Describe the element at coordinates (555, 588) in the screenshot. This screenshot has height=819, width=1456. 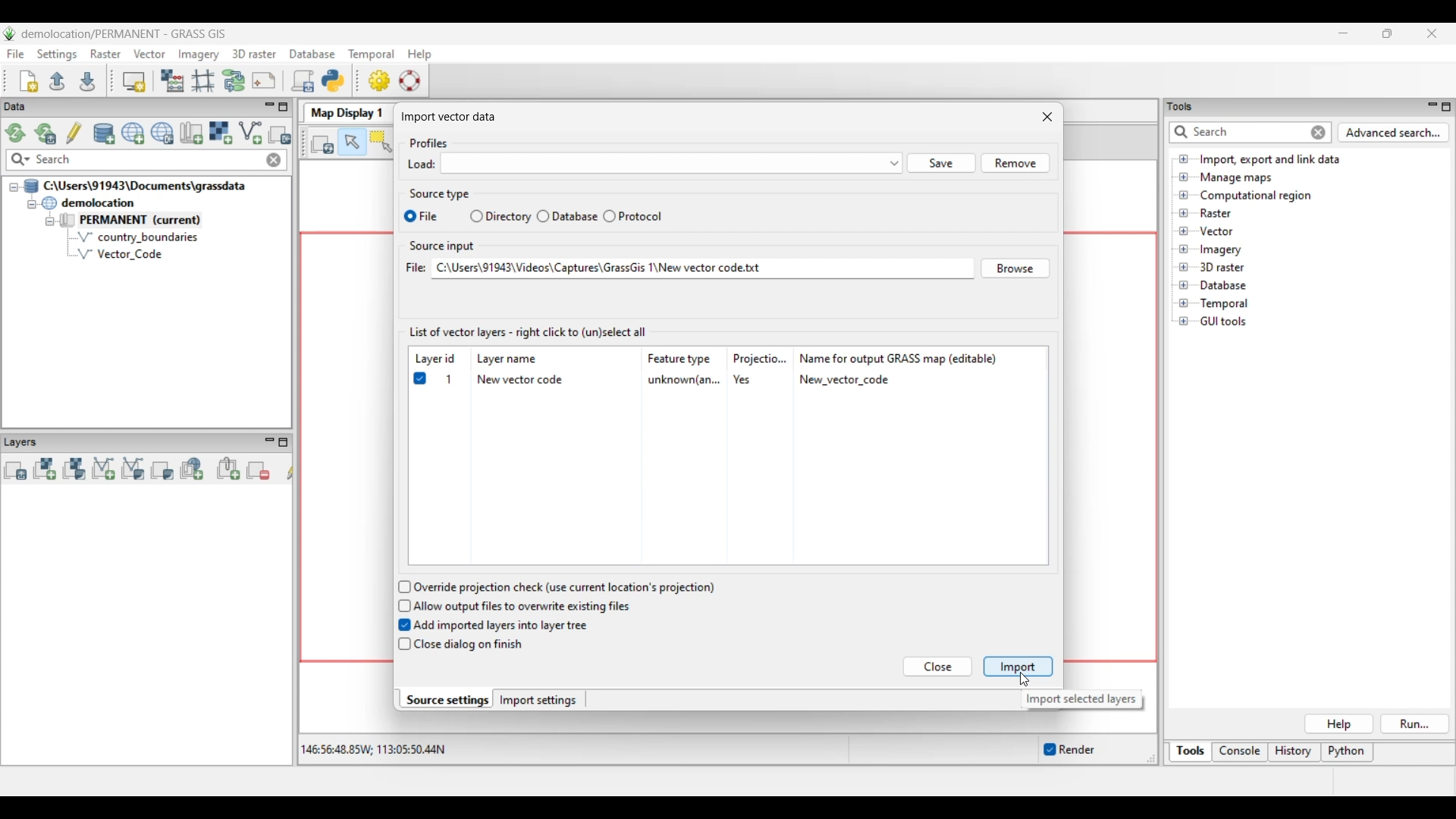
I see `Override projection check` at that location.